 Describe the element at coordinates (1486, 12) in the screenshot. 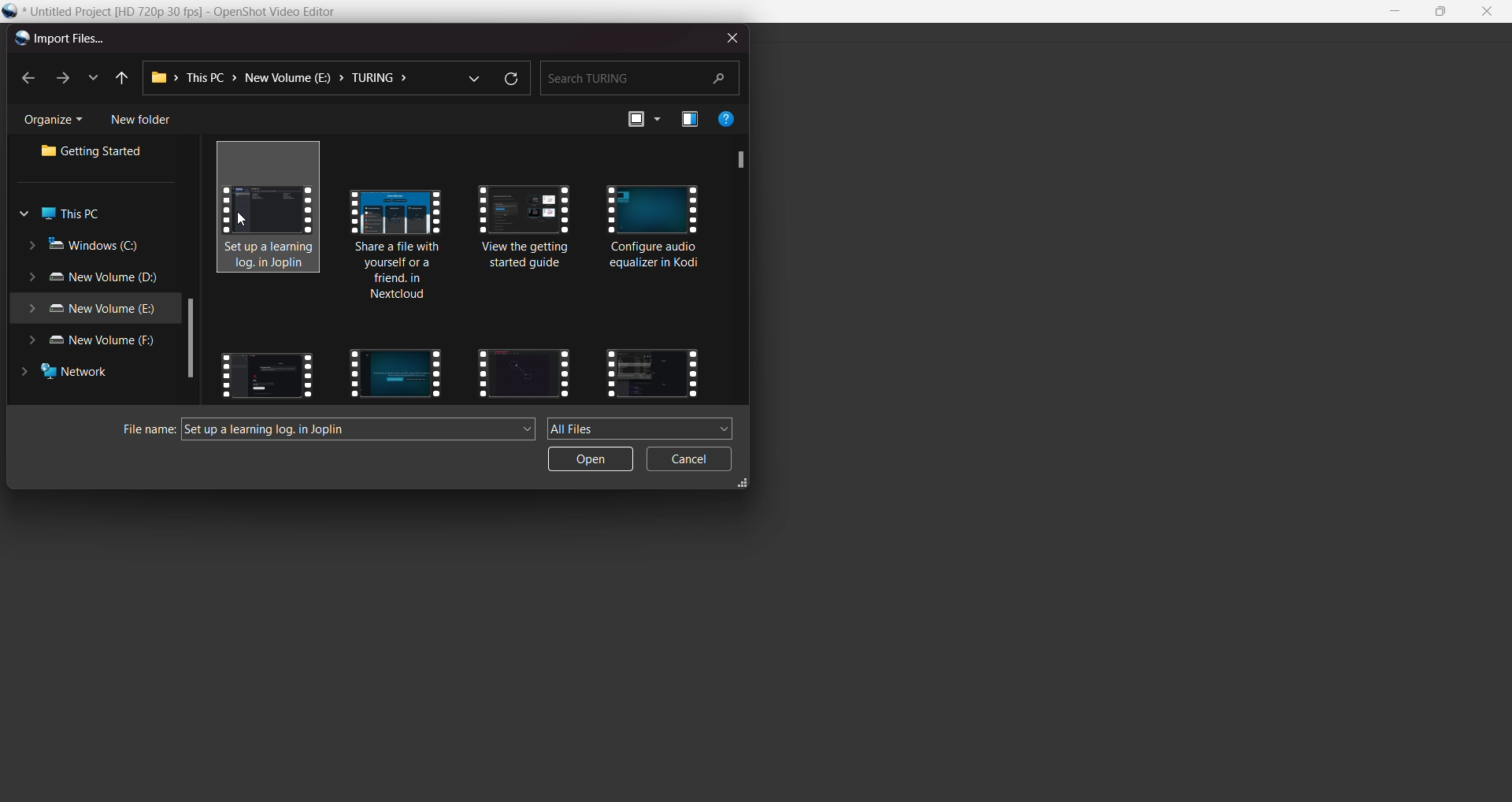

I see `close` at that location.